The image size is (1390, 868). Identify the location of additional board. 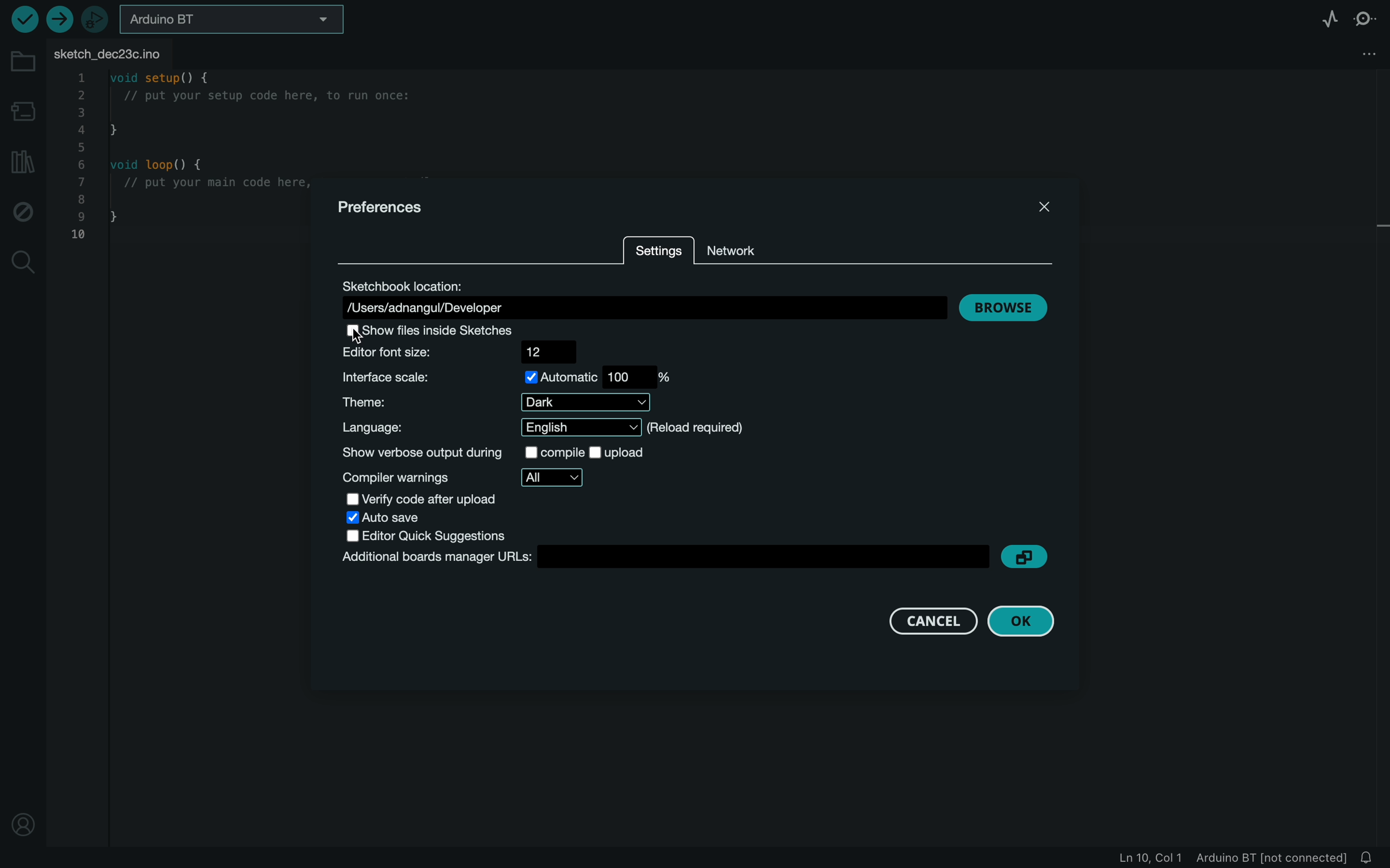
(663, 557).